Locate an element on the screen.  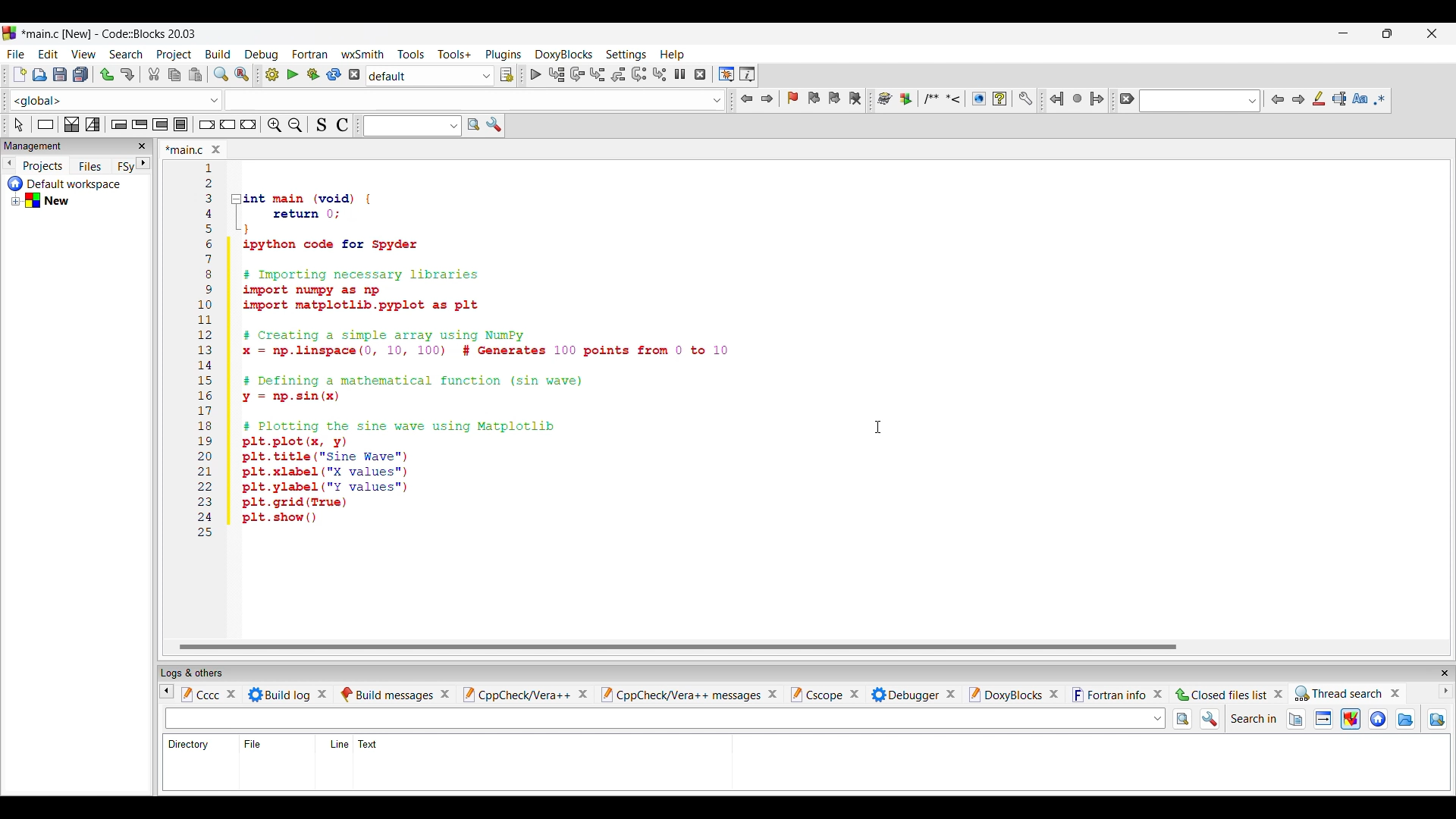
show options is located at coordinates (1213, 720).